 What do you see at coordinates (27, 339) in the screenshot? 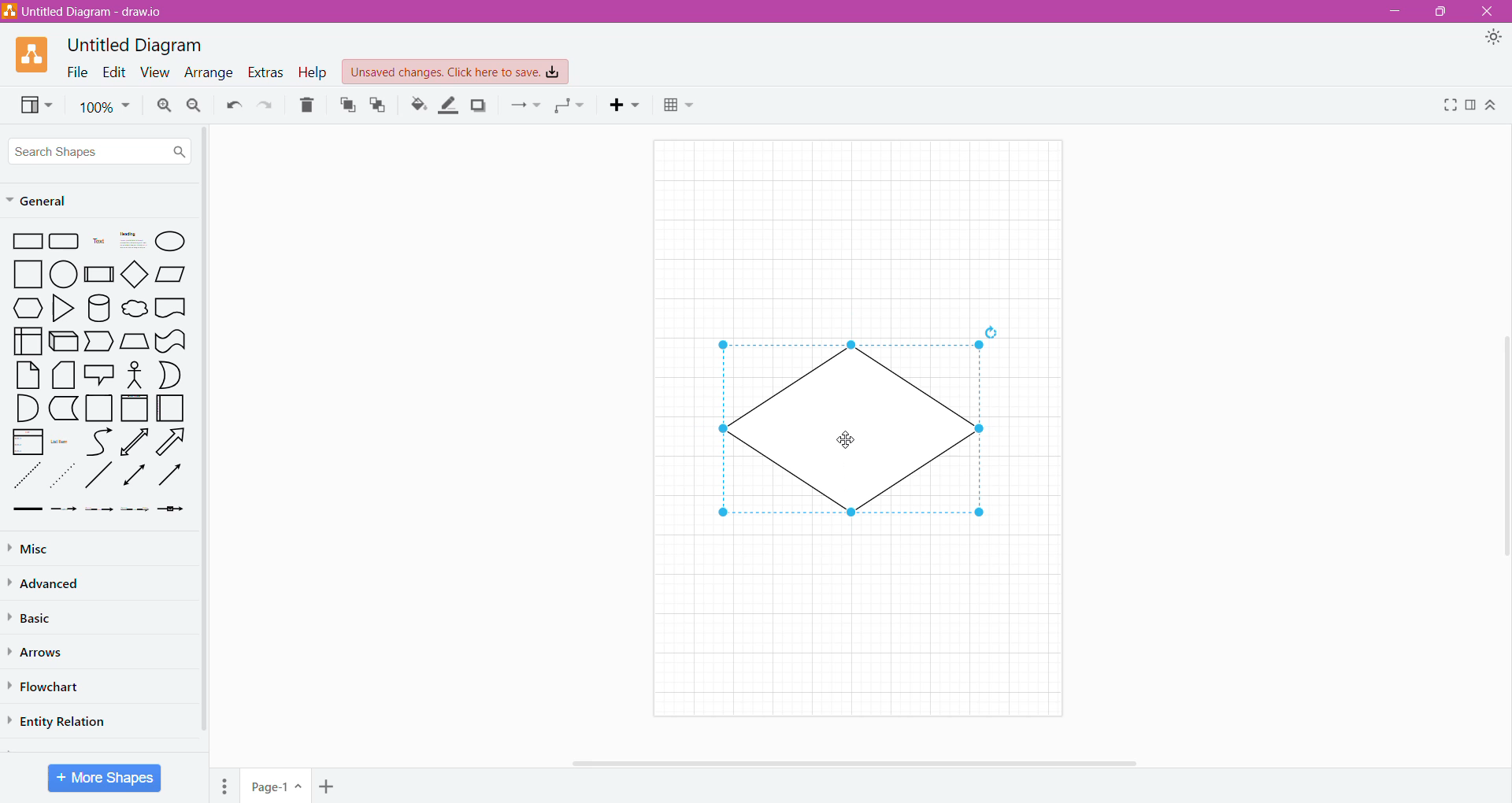
I see `Internal Document` at bounding box center [27, 339].